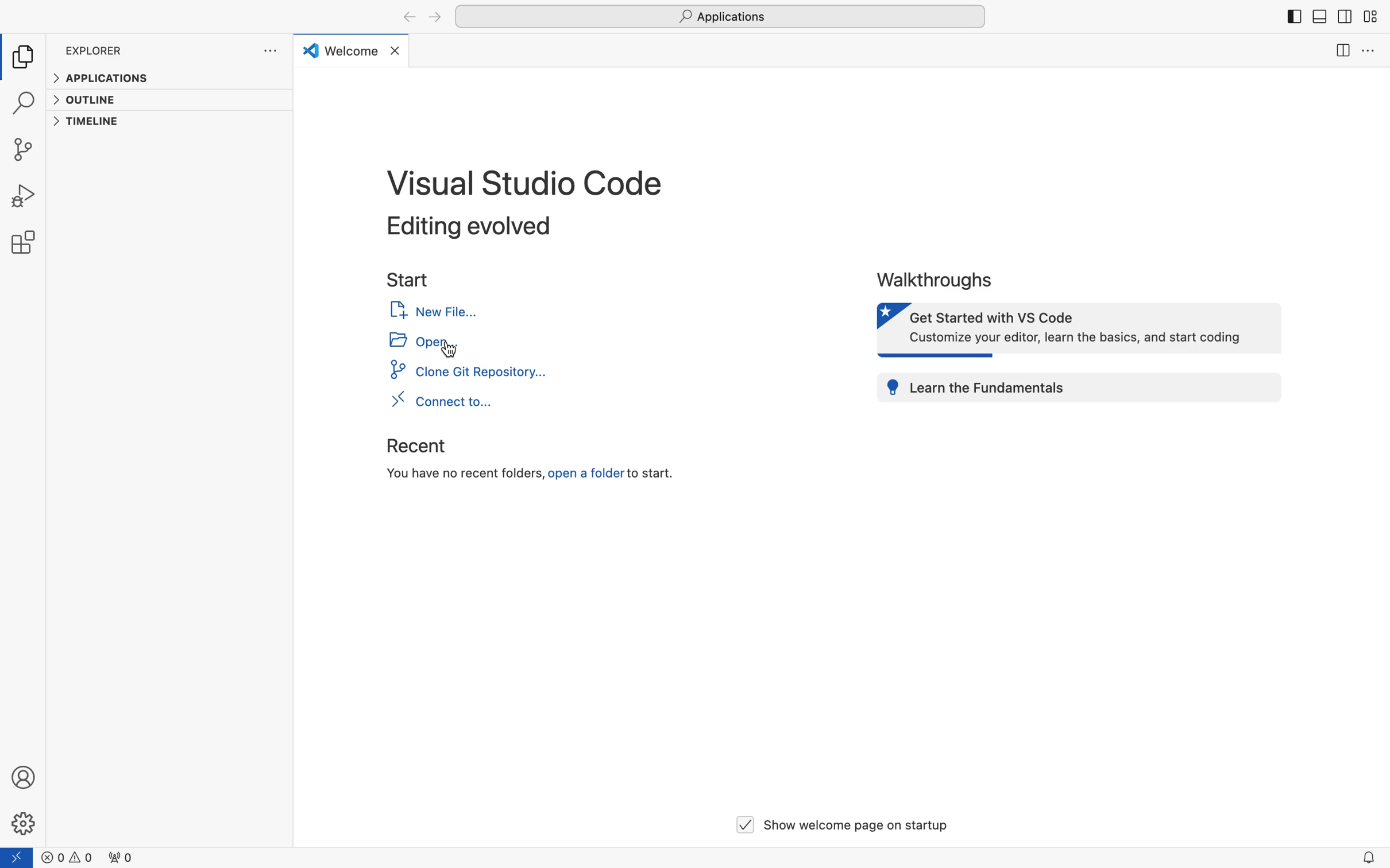 The height and width of the screenshot is (868, 1390). I want to click on more options, so click(272, 52).